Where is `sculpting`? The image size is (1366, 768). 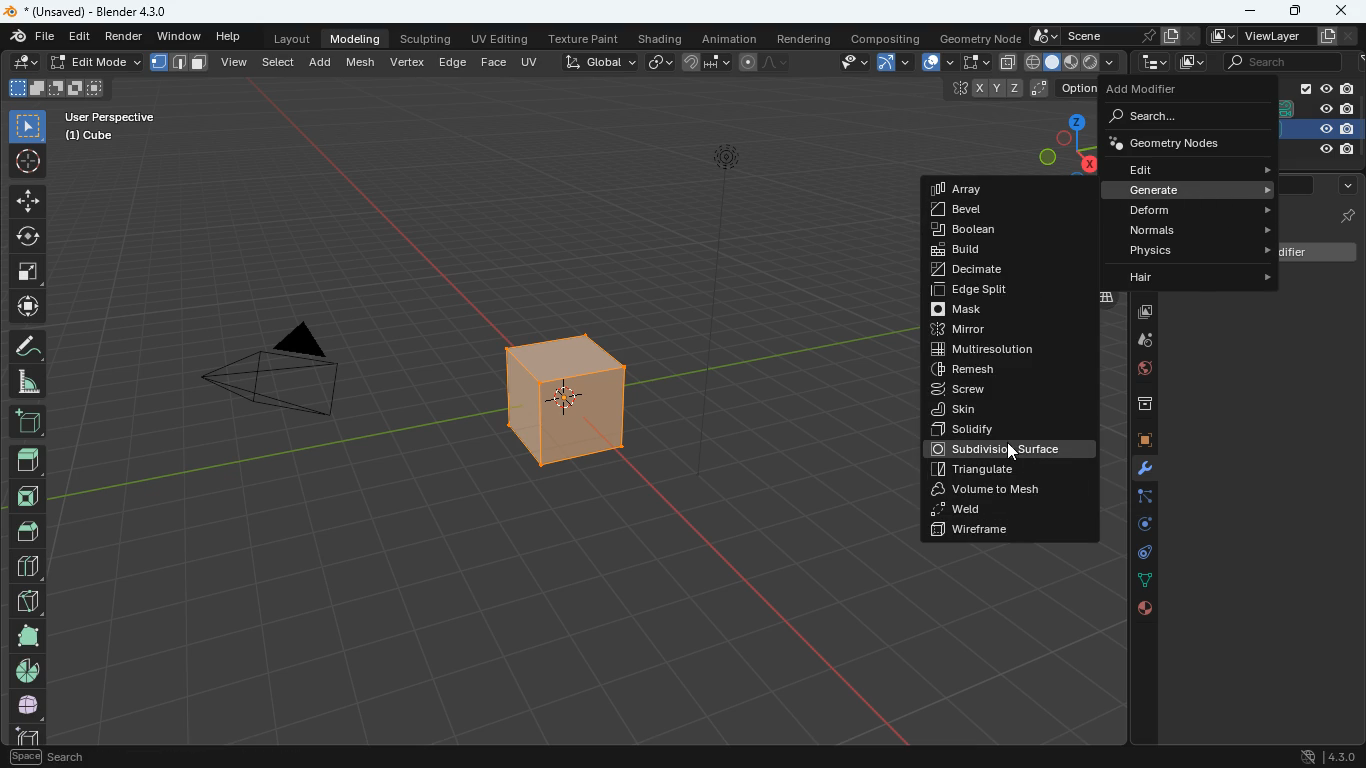
sculpting is located at coordinates (429, 39).